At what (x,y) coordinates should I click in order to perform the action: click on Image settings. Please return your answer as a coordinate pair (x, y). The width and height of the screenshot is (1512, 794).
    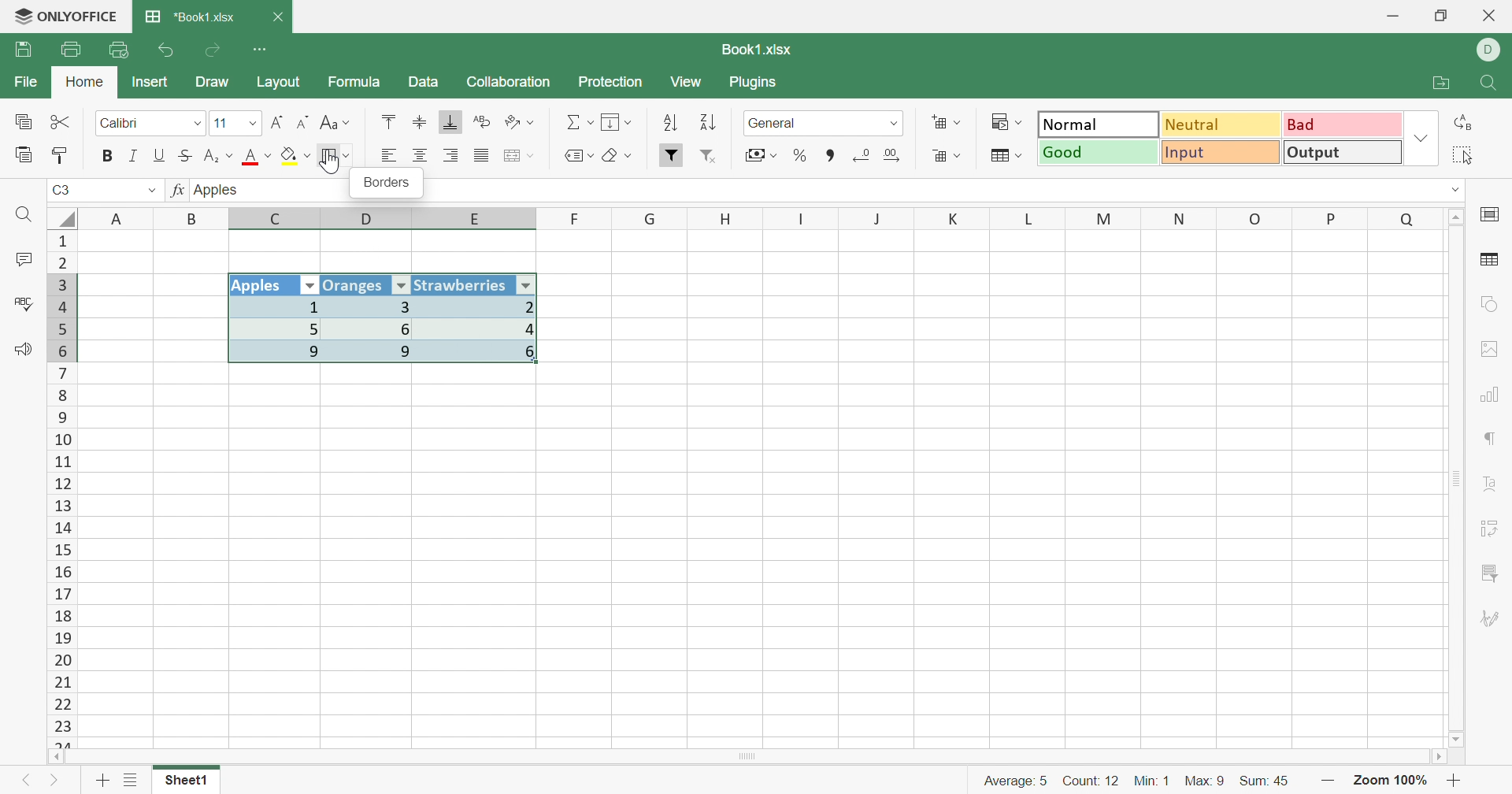
    Looking at the image, I should click on (1495, 349).